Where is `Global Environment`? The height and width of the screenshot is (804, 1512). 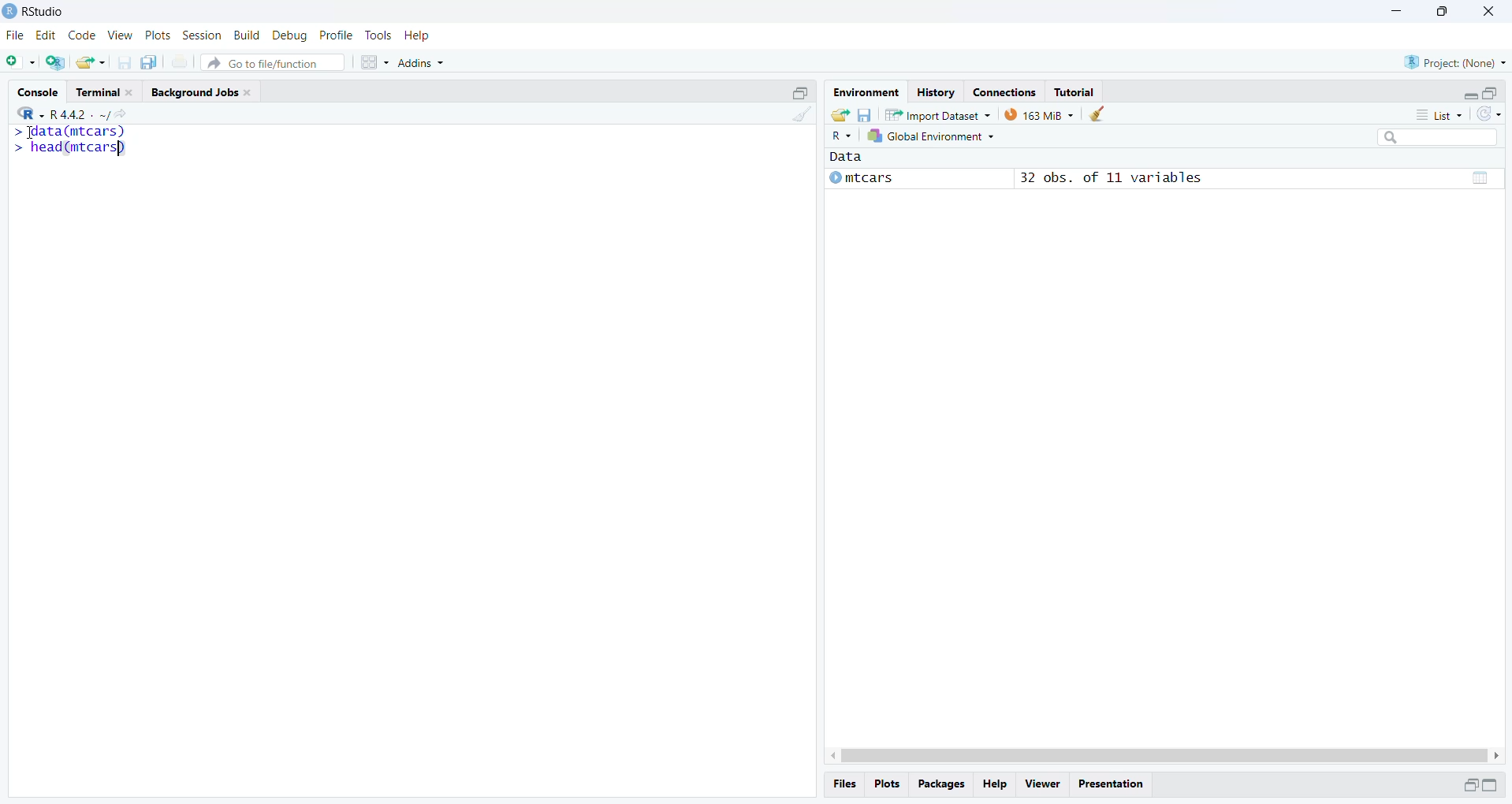 Global Environment is located at coordinates (932, 136).